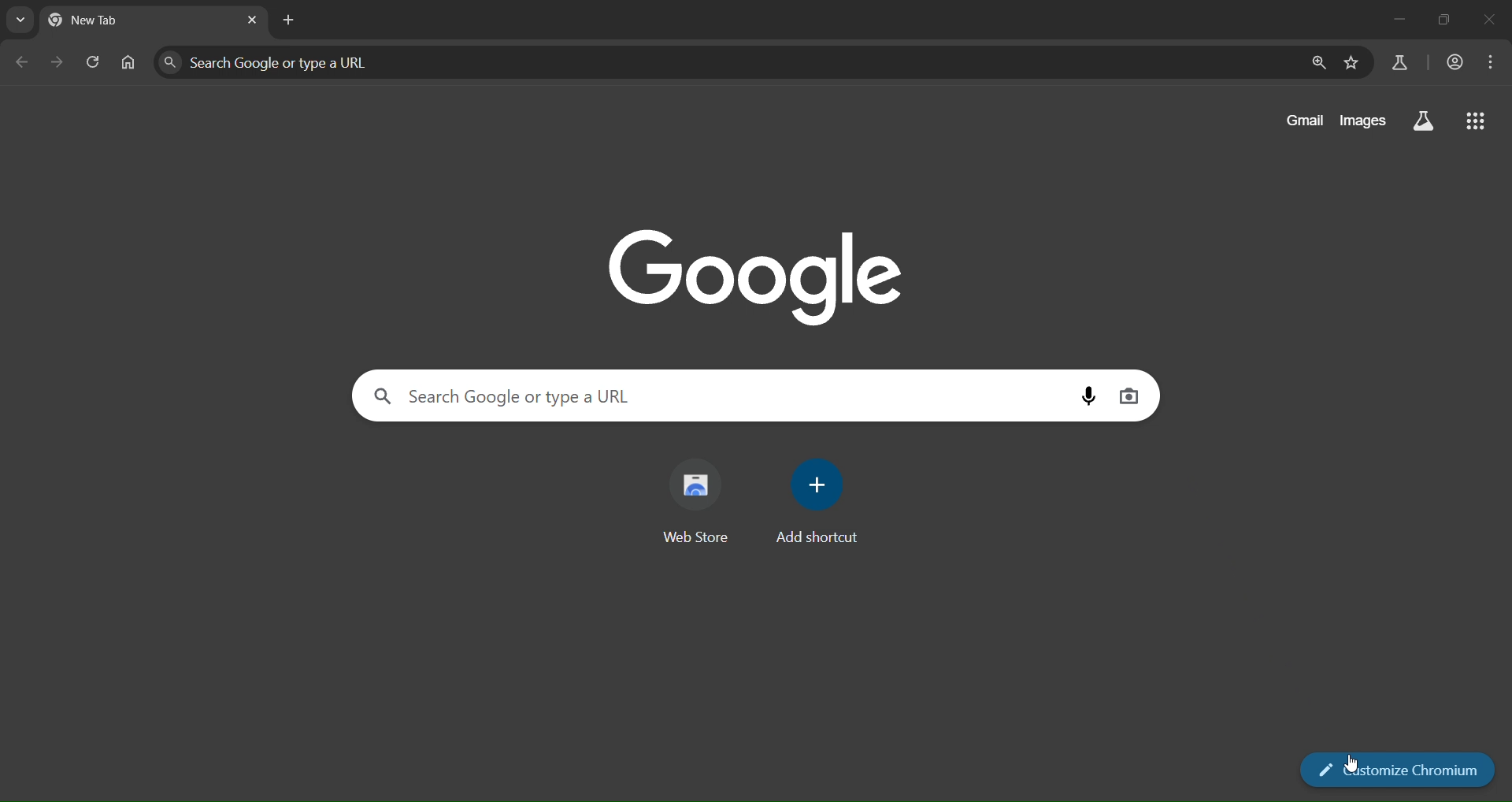 Image resolution: width=1512 pixels, height=802 pixels. What do you see at coordinates (1301, 120) in the screenshot?
I see `gmail` at bounding box center [1301, 120].